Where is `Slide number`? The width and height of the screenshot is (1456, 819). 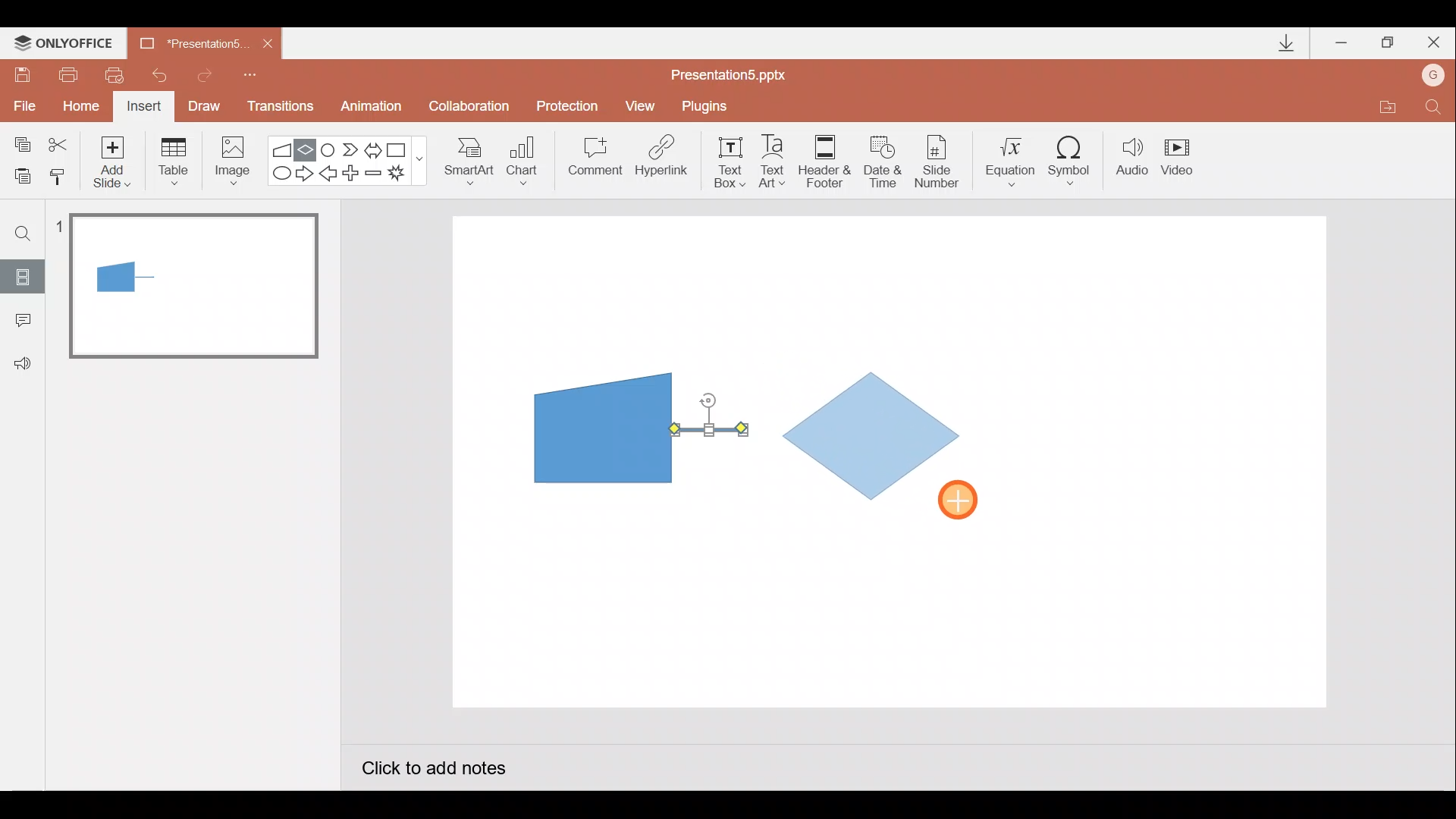 Slide number is located at coordinates (941, 162).